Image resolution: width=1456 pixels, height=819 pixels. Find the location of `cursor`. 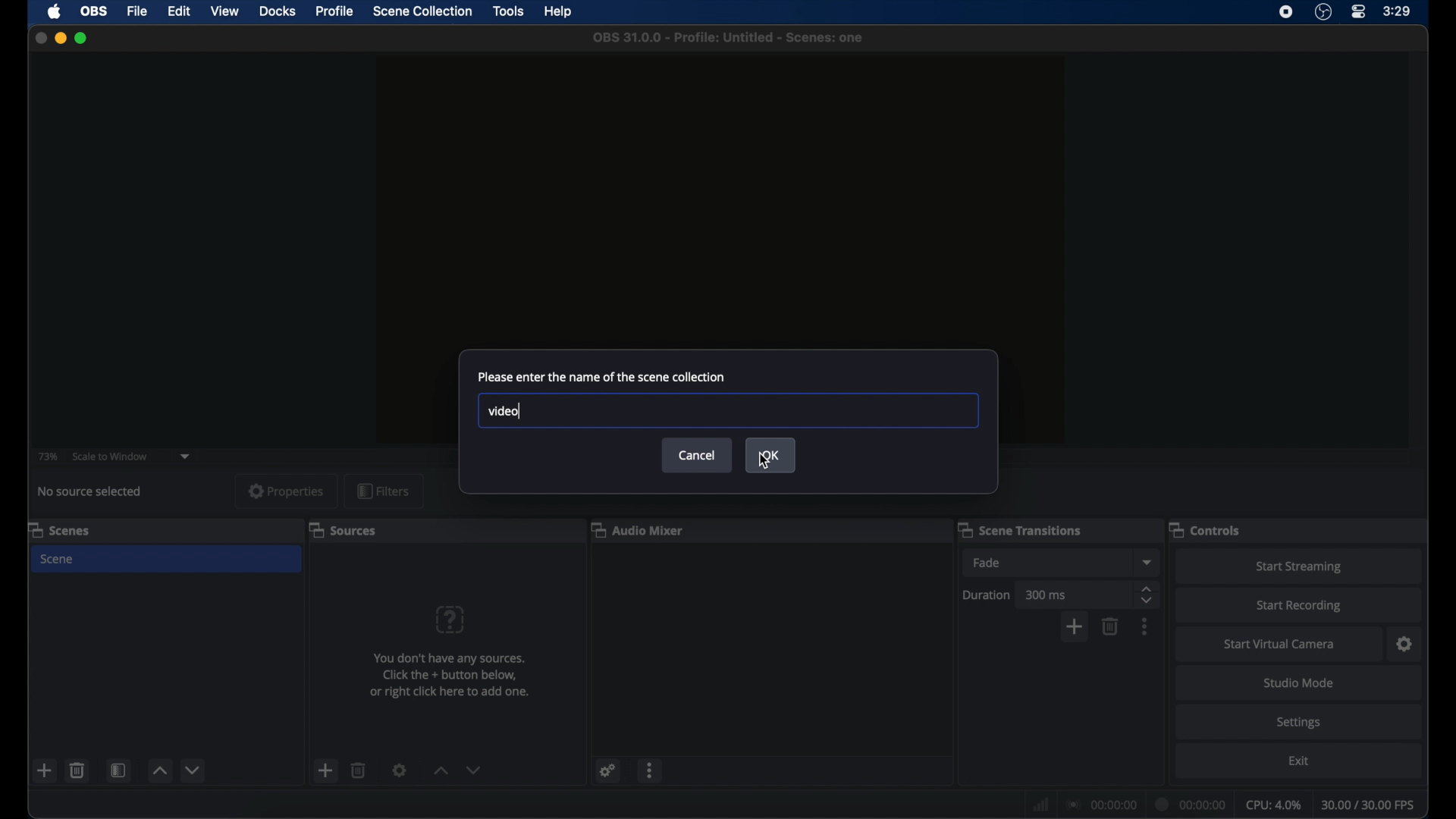

cursor is located at coordinates (764, 461).